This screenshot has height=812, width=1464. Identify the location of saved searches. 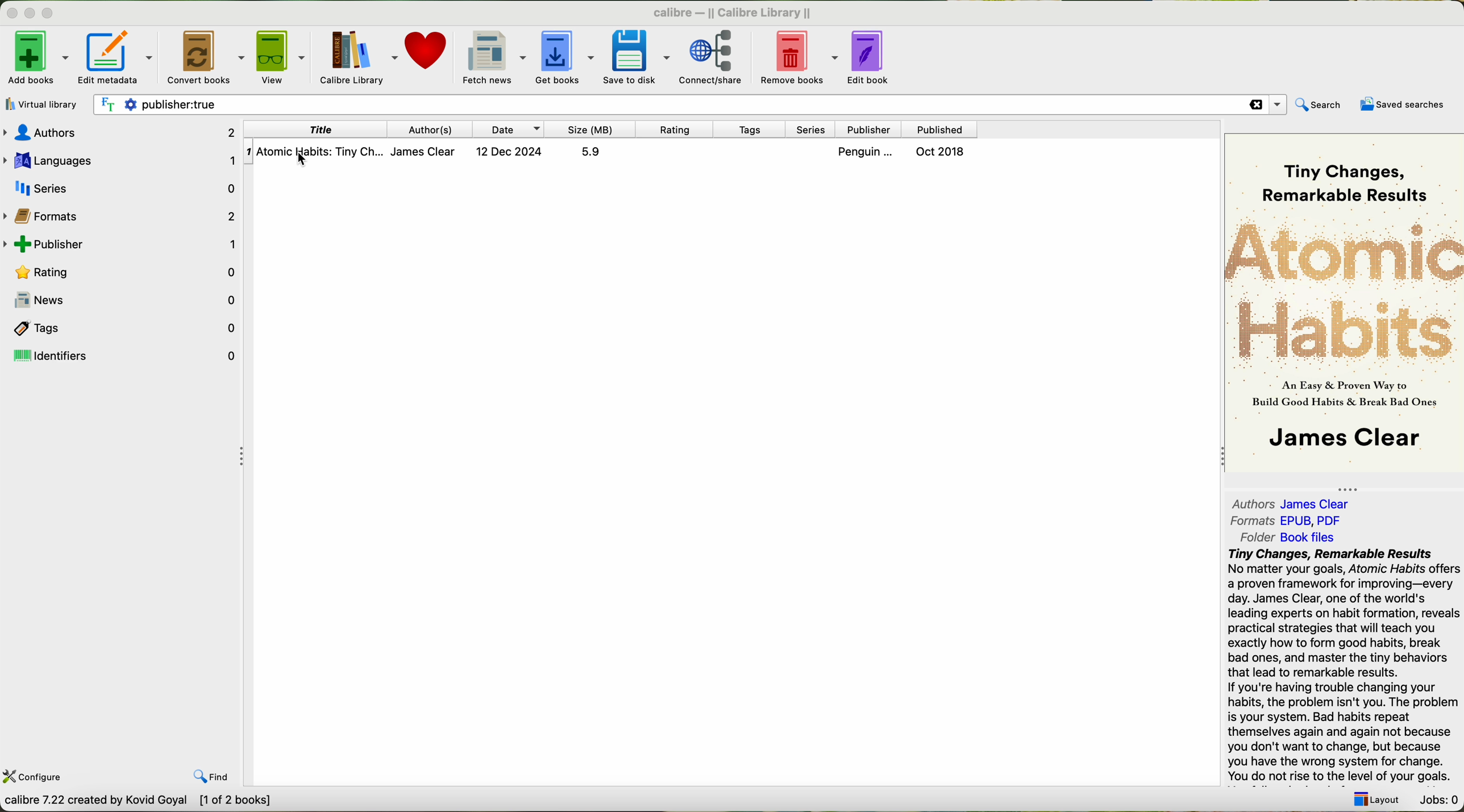
(1403, 105).